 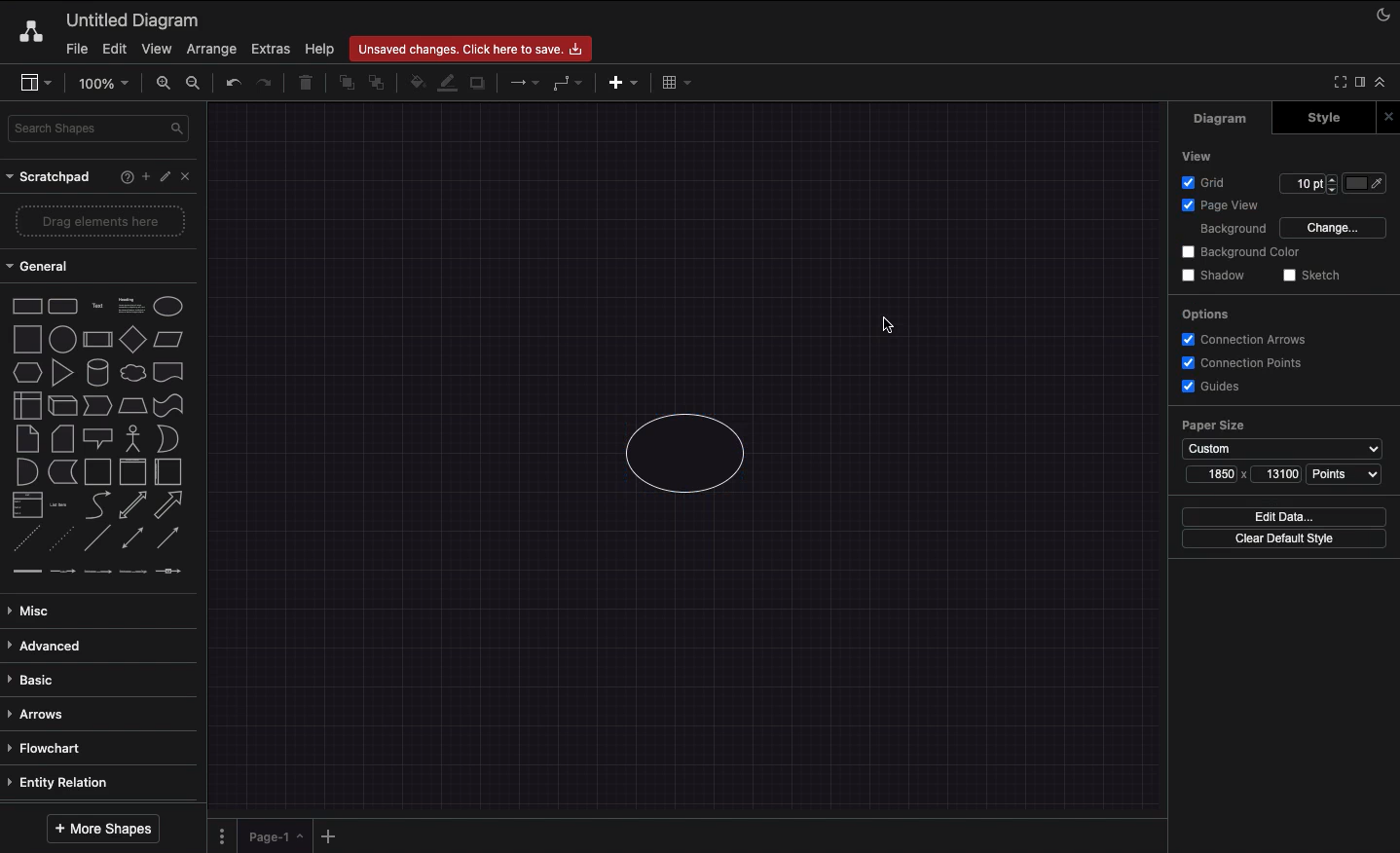 What do you see at coordinates (1282, 473) in the screenshot?
I see `13100` at bounding box center [1282, 473].